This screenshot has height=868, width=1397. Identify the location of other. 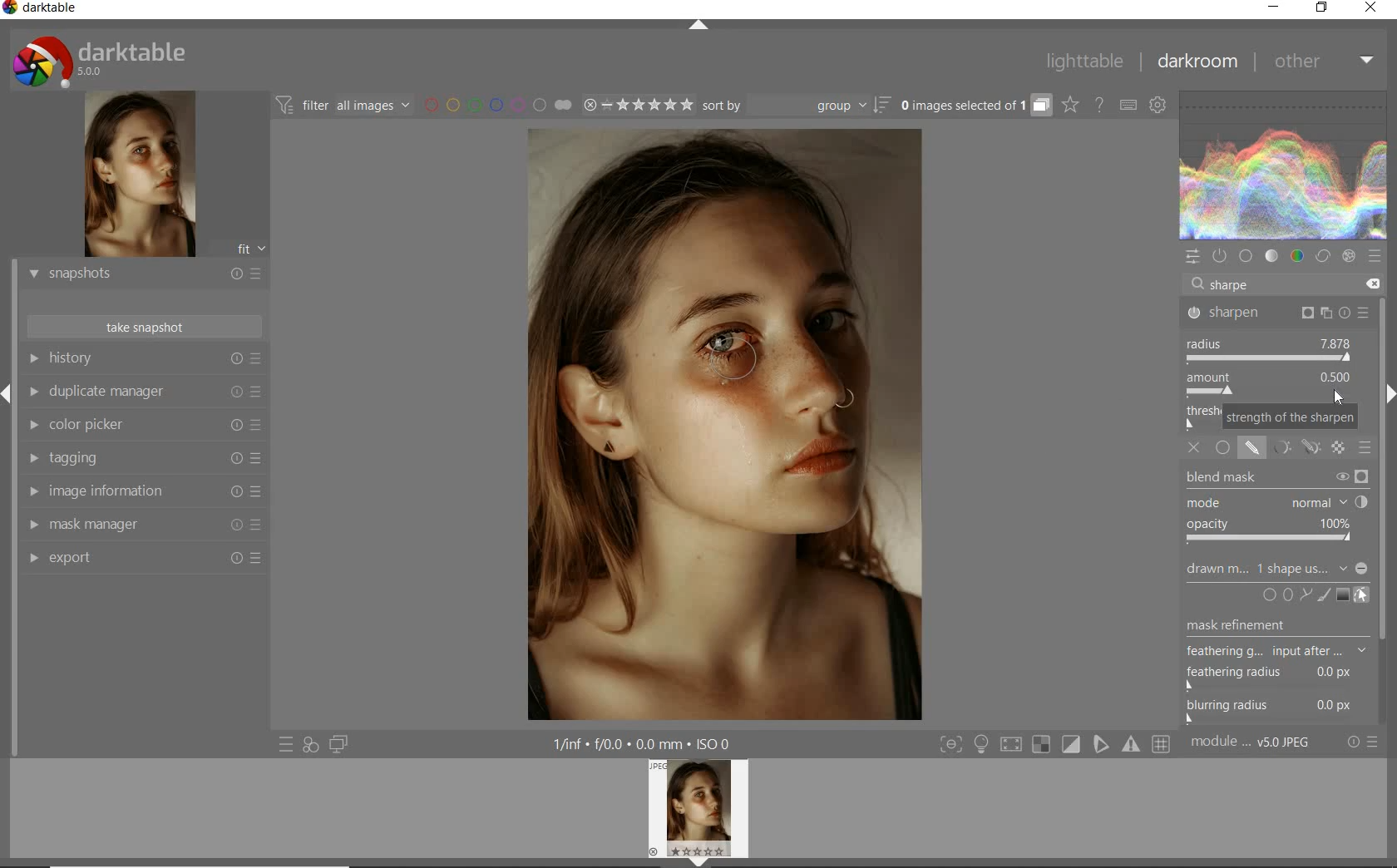
(1321, 60).